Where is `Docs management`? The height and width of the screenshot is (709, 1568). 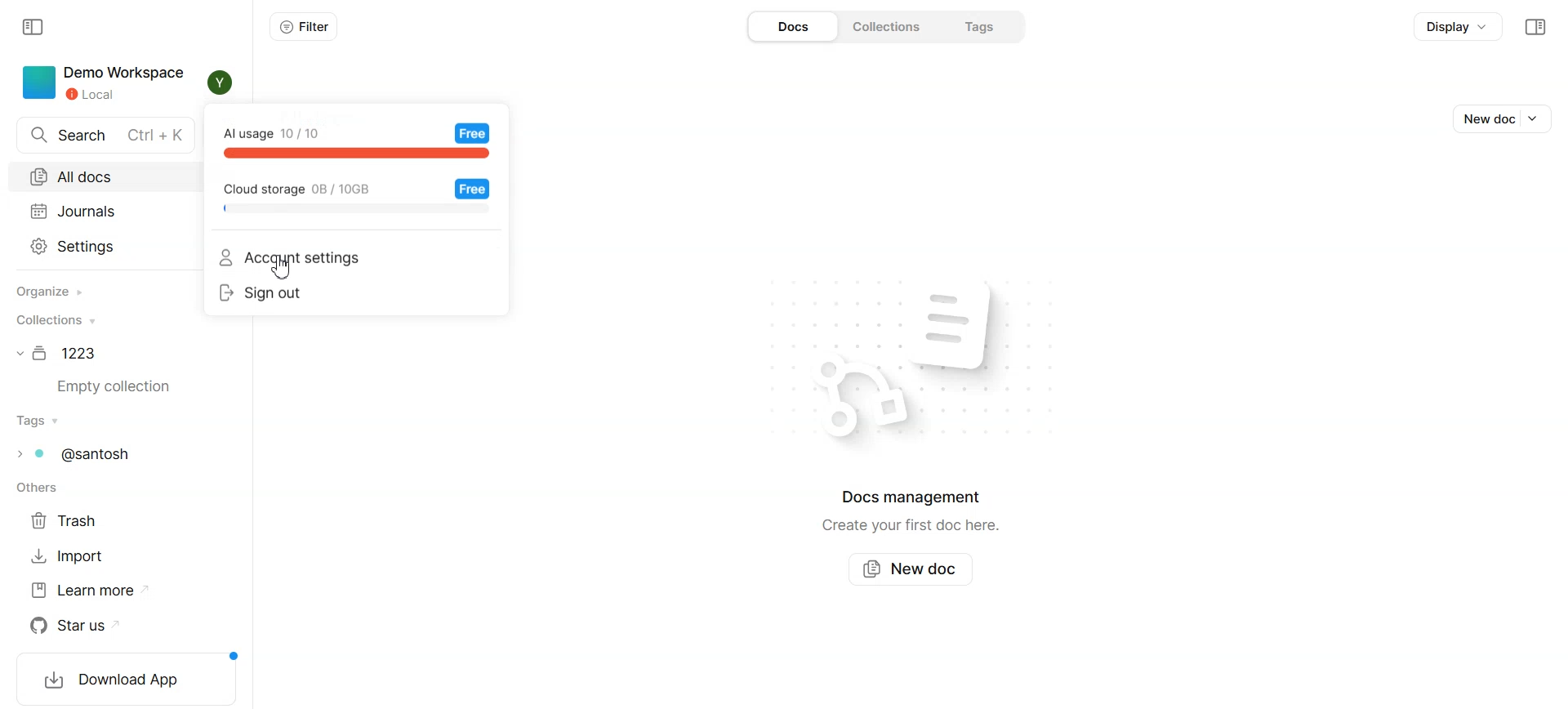 Docs management is located at coordinates (915, 497).